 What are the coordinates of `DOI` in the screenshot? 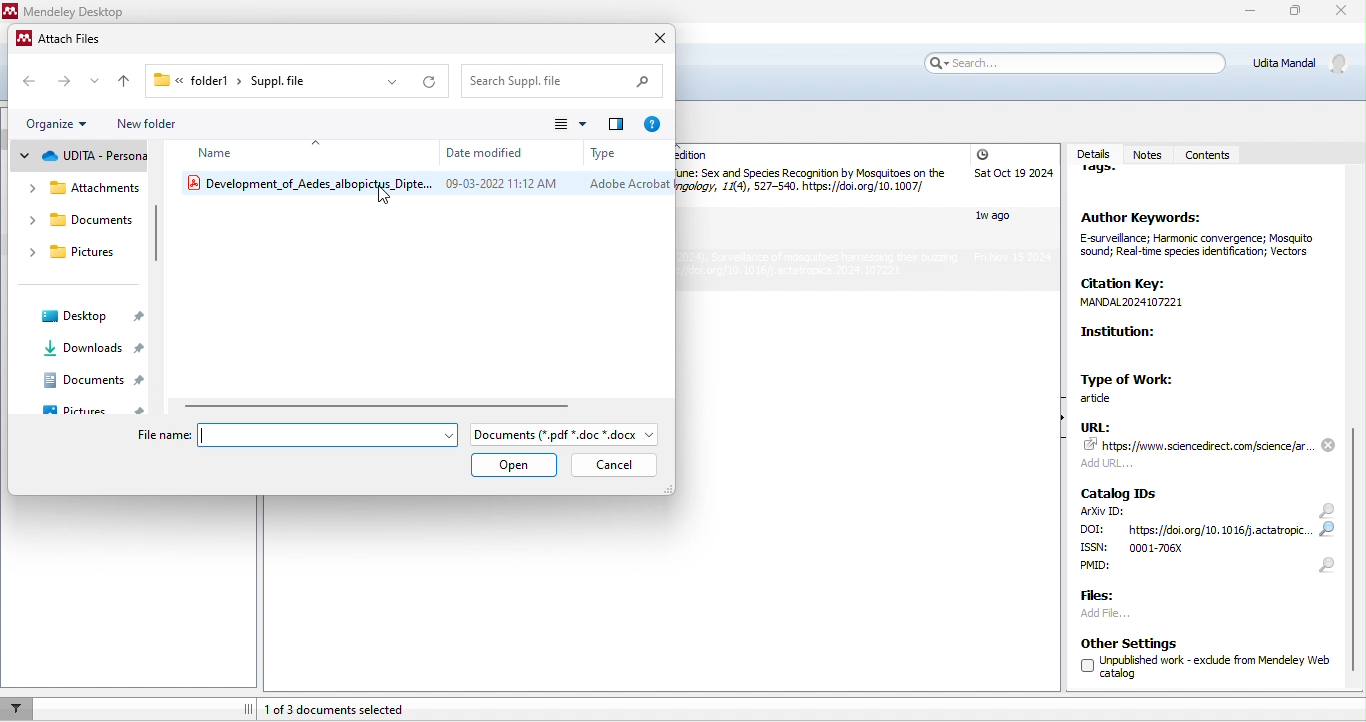 It's located at (1198, 530).